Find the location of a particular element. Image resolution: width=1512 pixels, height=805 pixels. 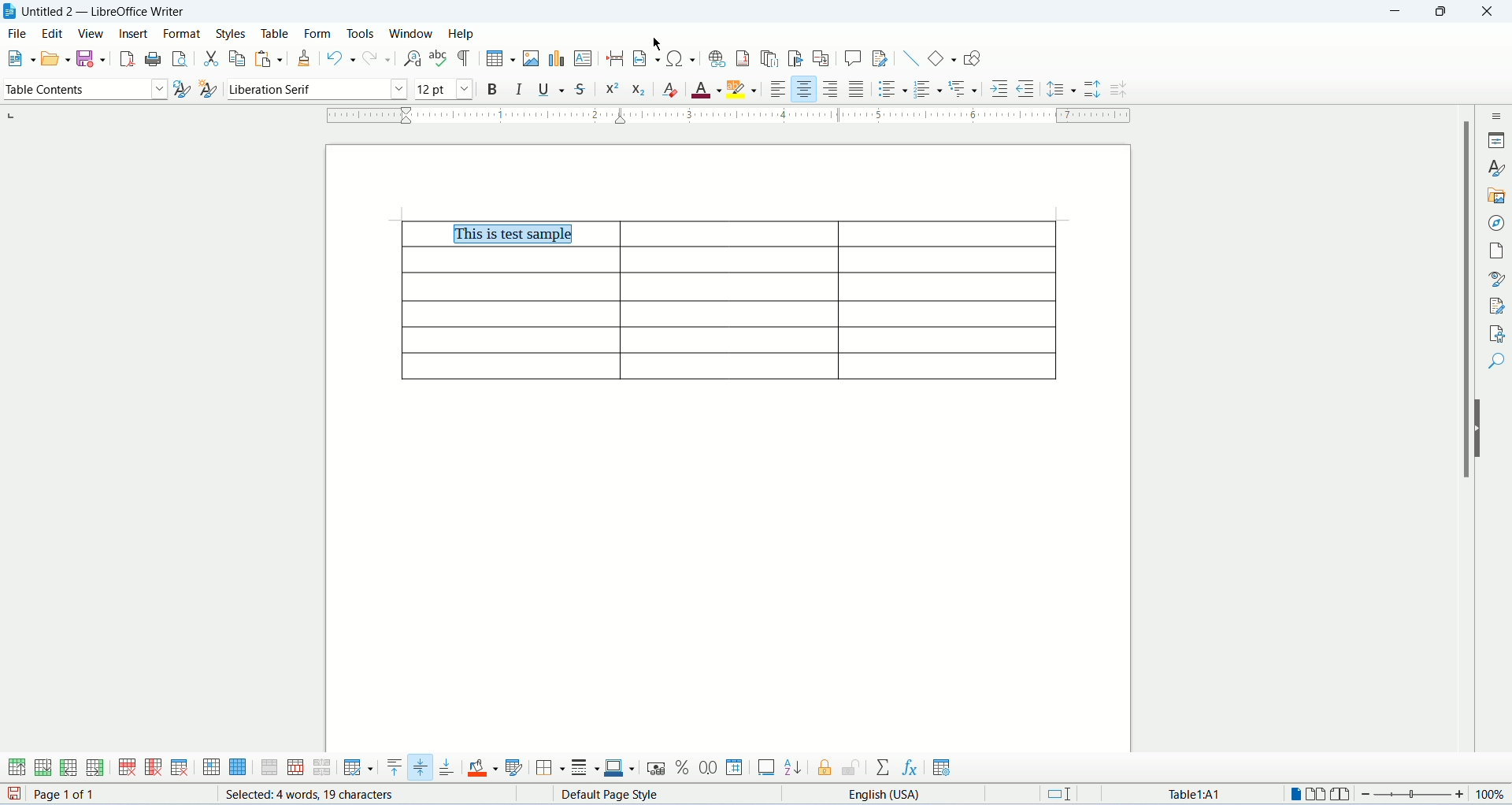

insert caption is located at coordinates (766, 769).